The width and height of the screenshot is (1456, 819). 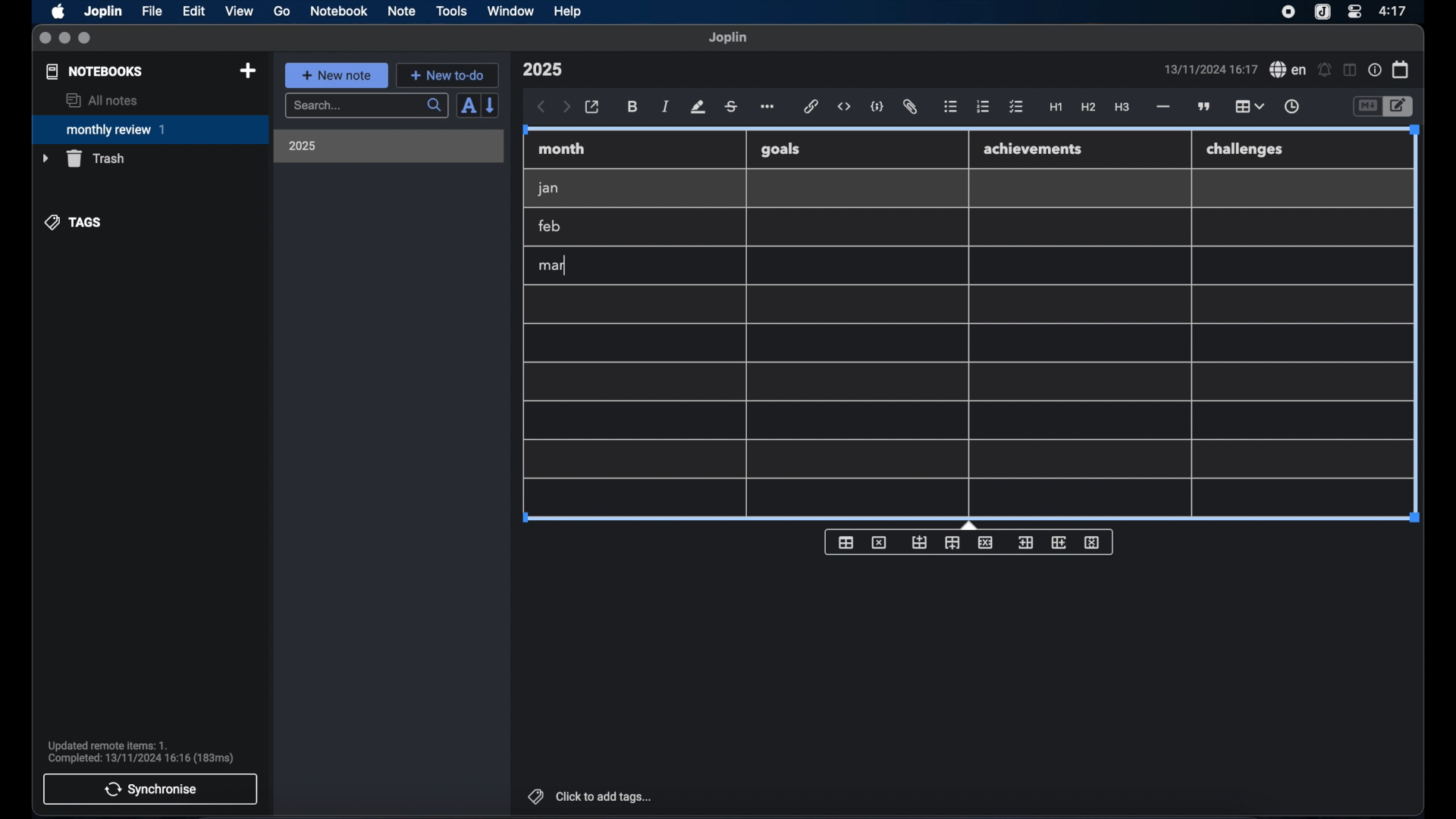 I want to click on insert column before, so click(x=1025, y=543).